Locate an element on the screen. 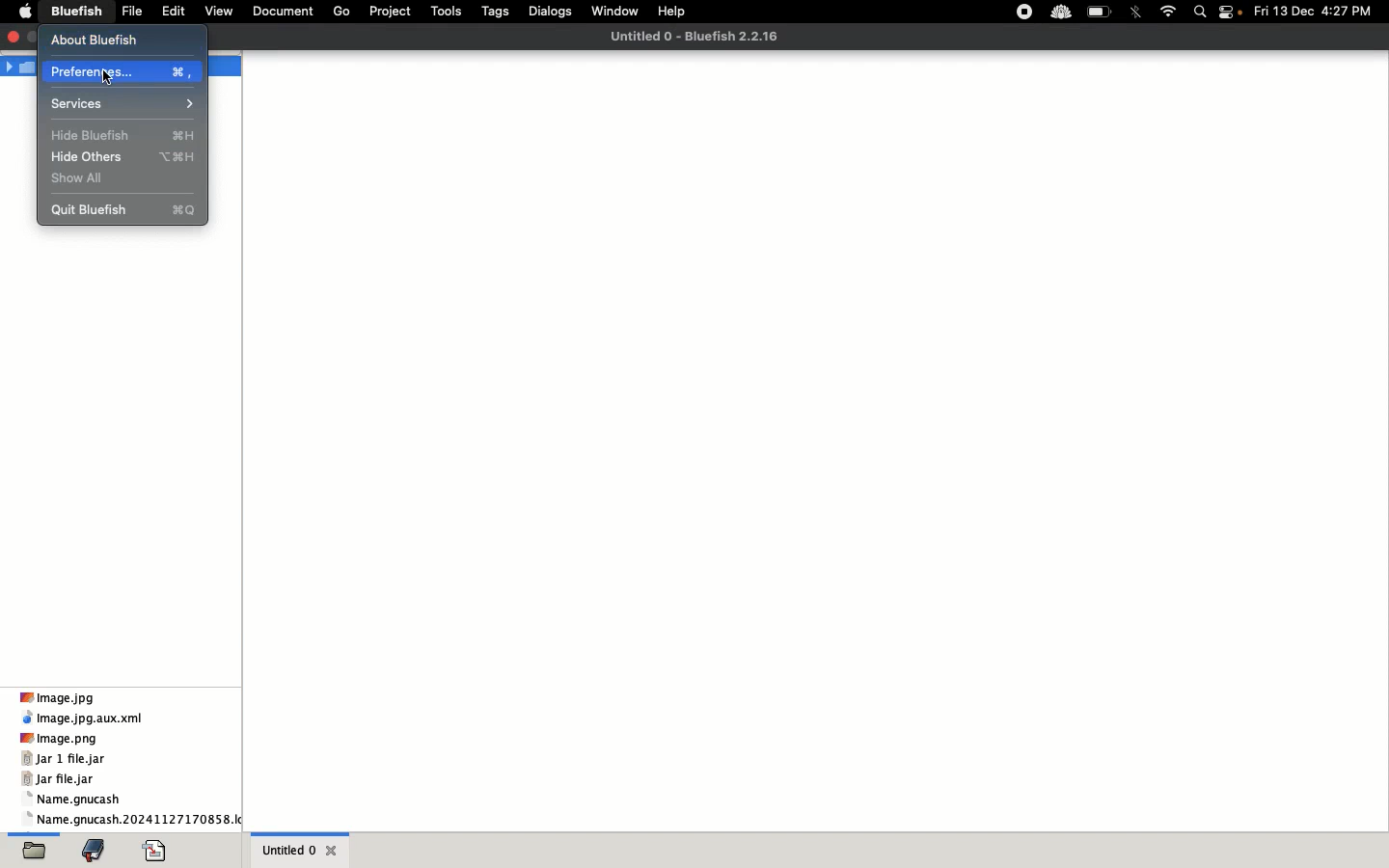 The image size is (1389, 868). cursor is located at coordinates (117, 78).